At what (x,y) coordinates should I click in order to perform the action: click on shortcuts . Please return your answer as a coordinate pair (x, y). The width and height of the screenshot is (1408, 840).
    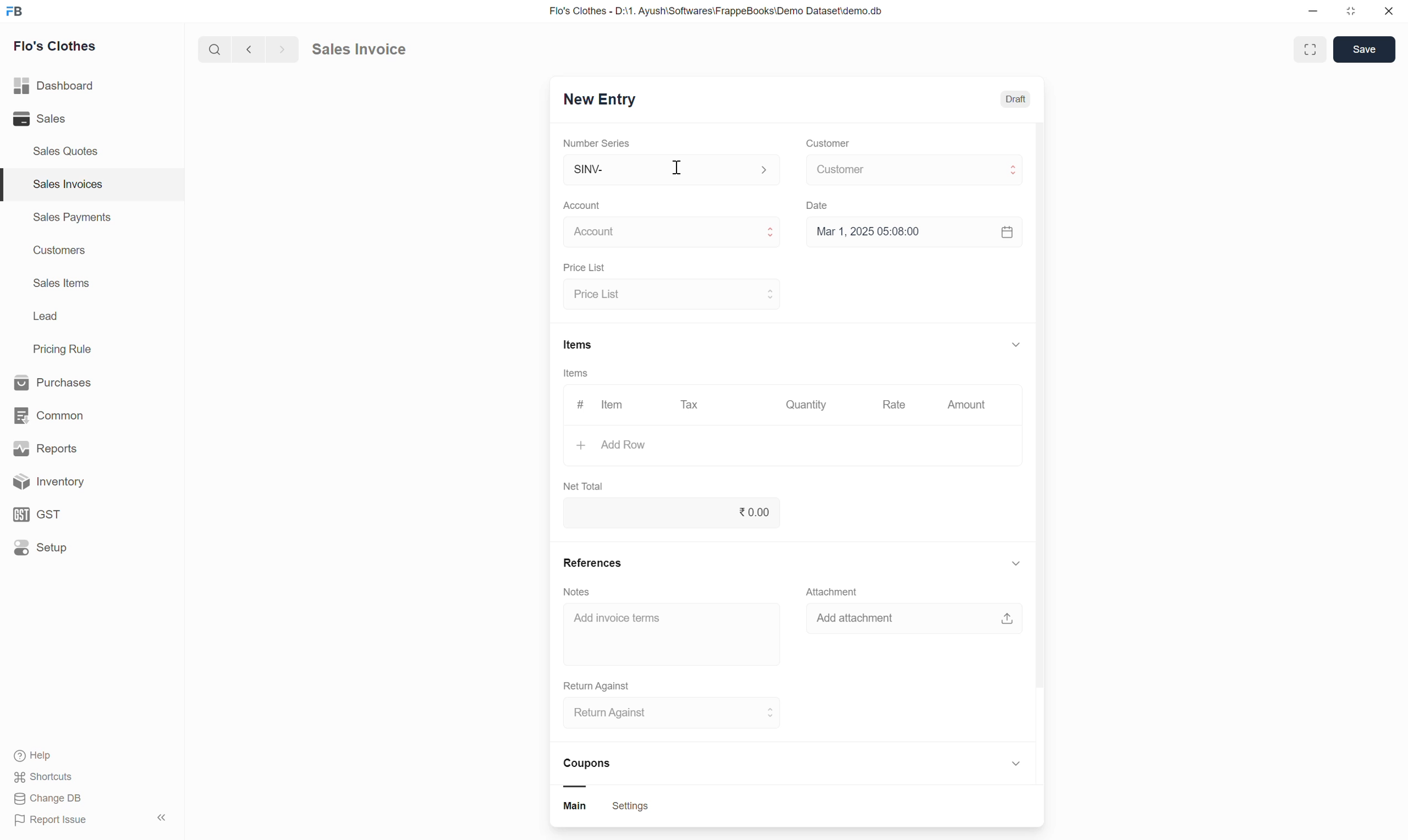
    Looking at the image, I should click on (54, 777).